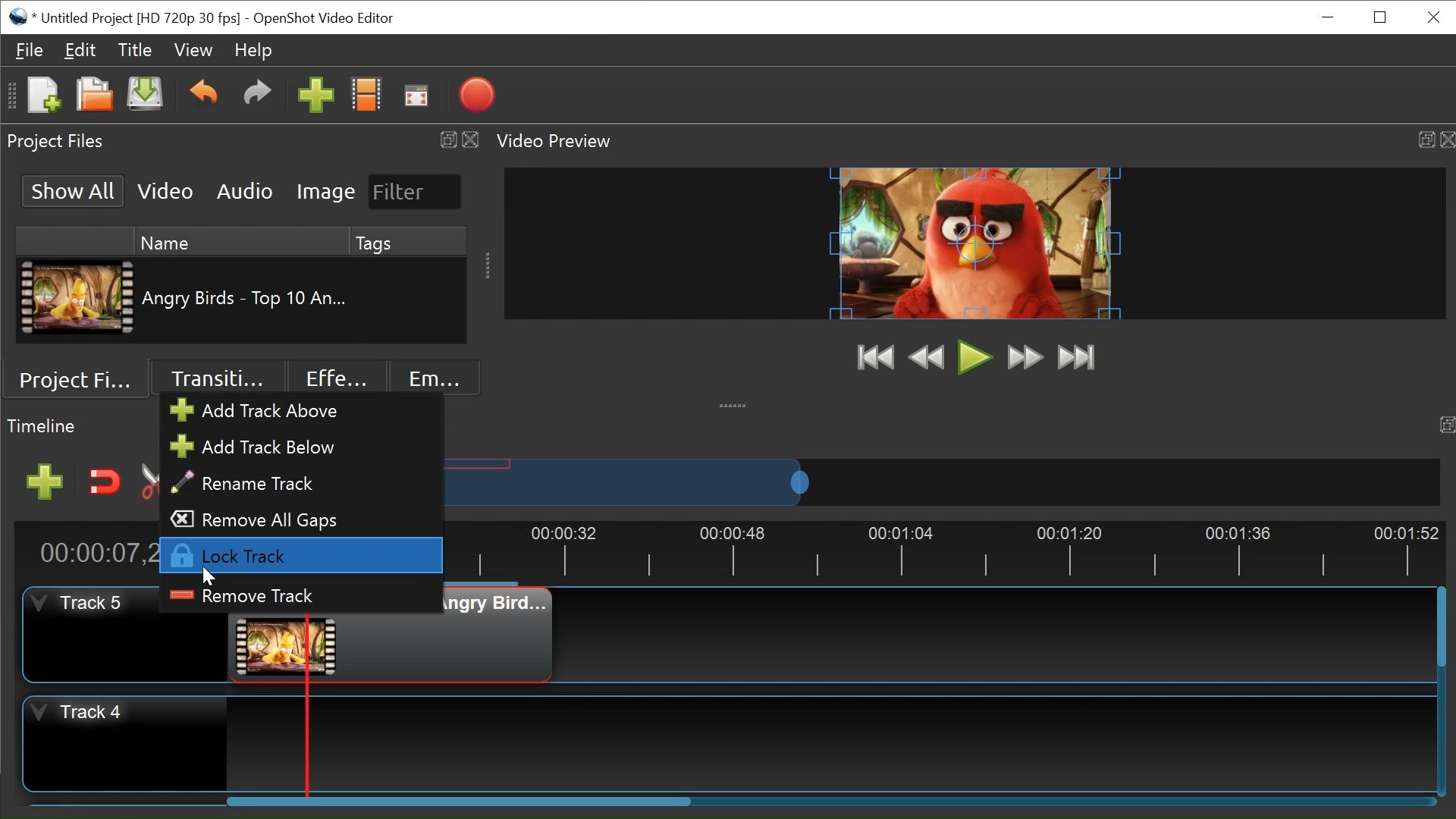 The image size is (1456, 819). What do you see at coordinates (80, 49) in the screenshot?
I see `Edit` at bounding box center [80, 49].